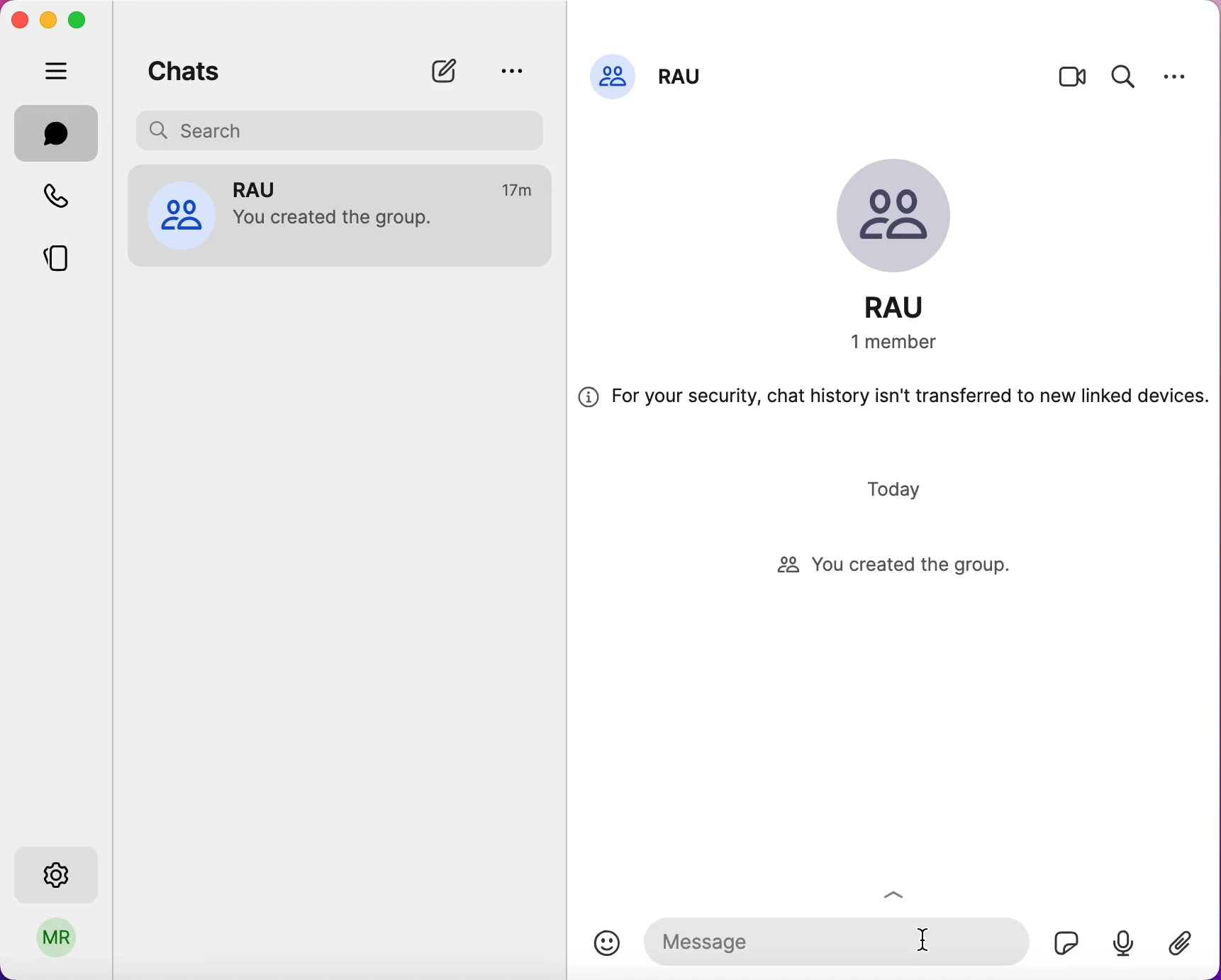 The height and width of the screenshot is (980, 1221). What do you see at coordinates (1124, 74) in the screenshot?
I see `search` at bounding box center [1124, 74].